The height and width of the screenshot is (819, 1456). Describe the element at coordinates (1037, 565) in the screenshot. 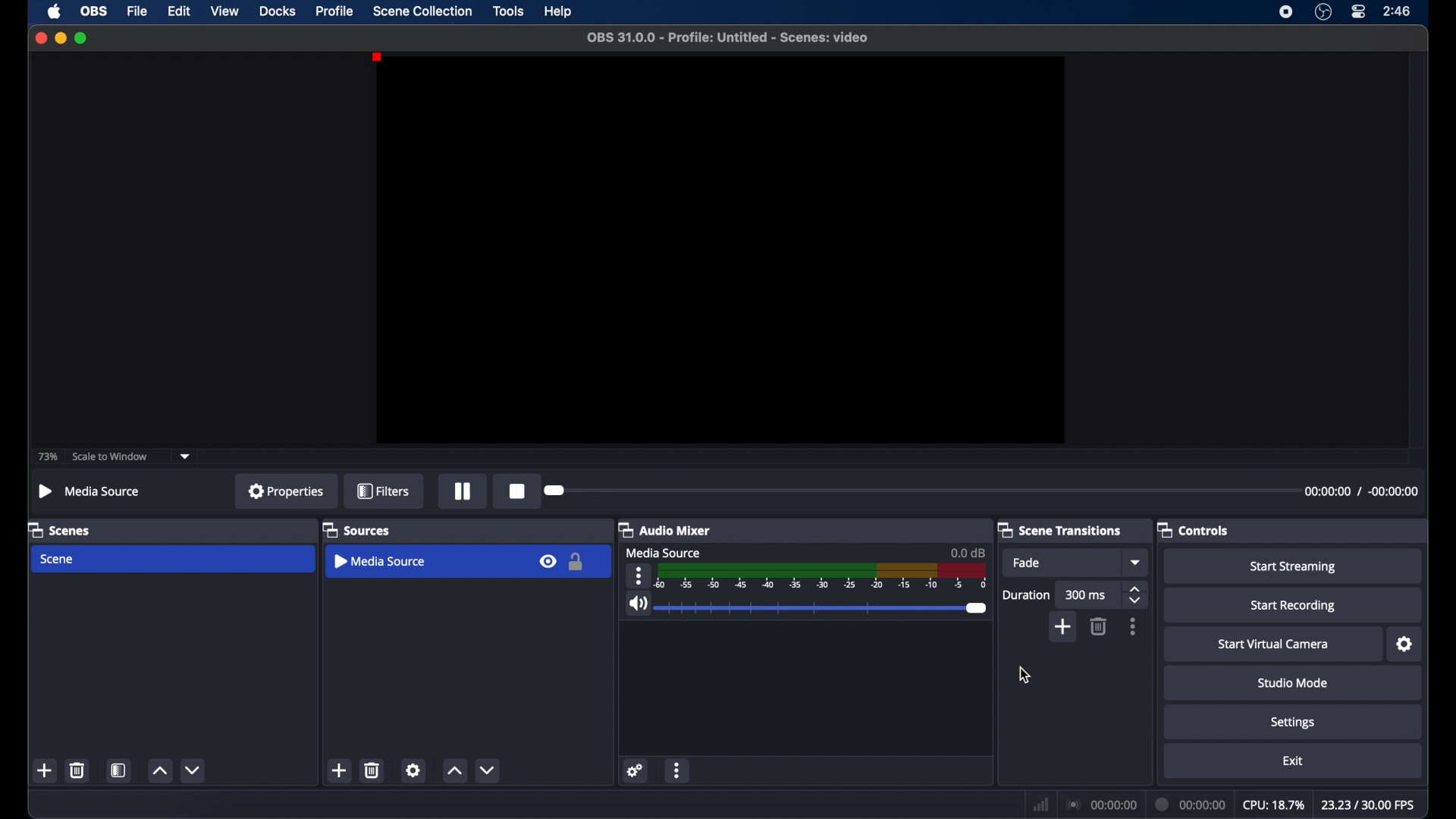

I see `Fade` at that location.